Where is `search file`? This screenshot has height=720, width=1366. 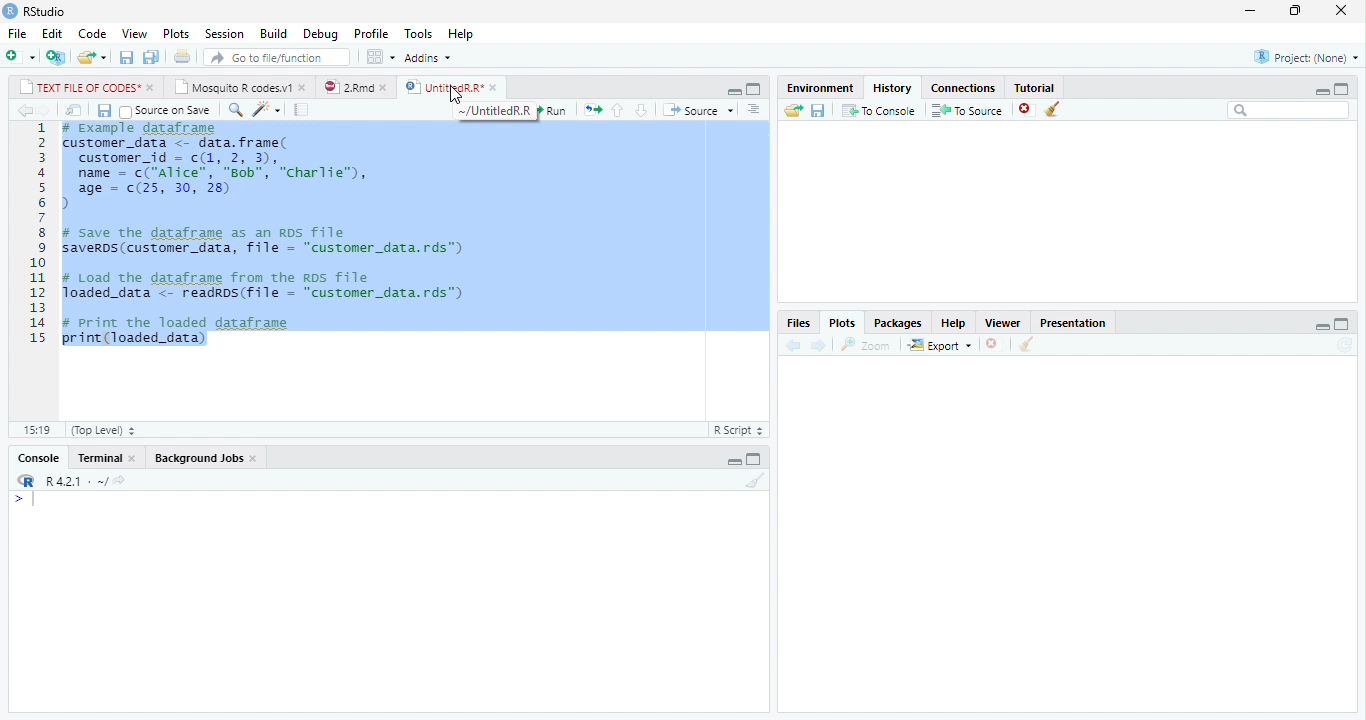
search file is located at coordinates (278, 57).